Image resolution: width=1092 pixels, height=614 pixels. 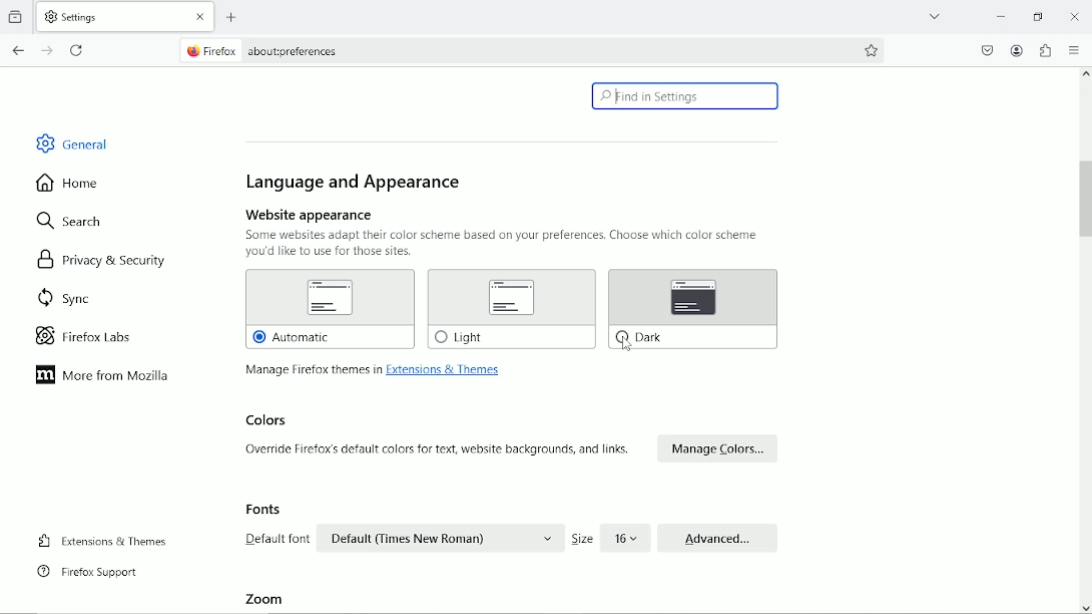 I want to click on privacy & security, so click(x=100, y=262).